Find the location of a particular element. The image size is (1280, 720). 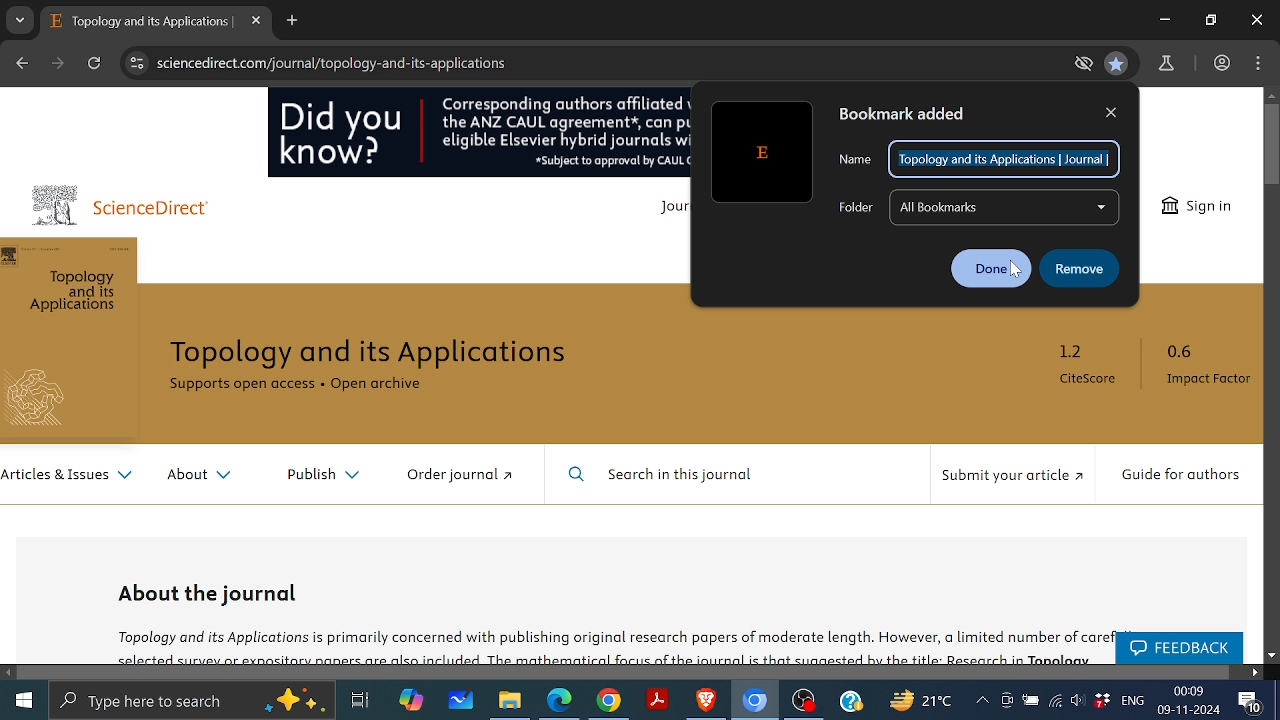

Move to previous page is located at coordinates (21, 61).